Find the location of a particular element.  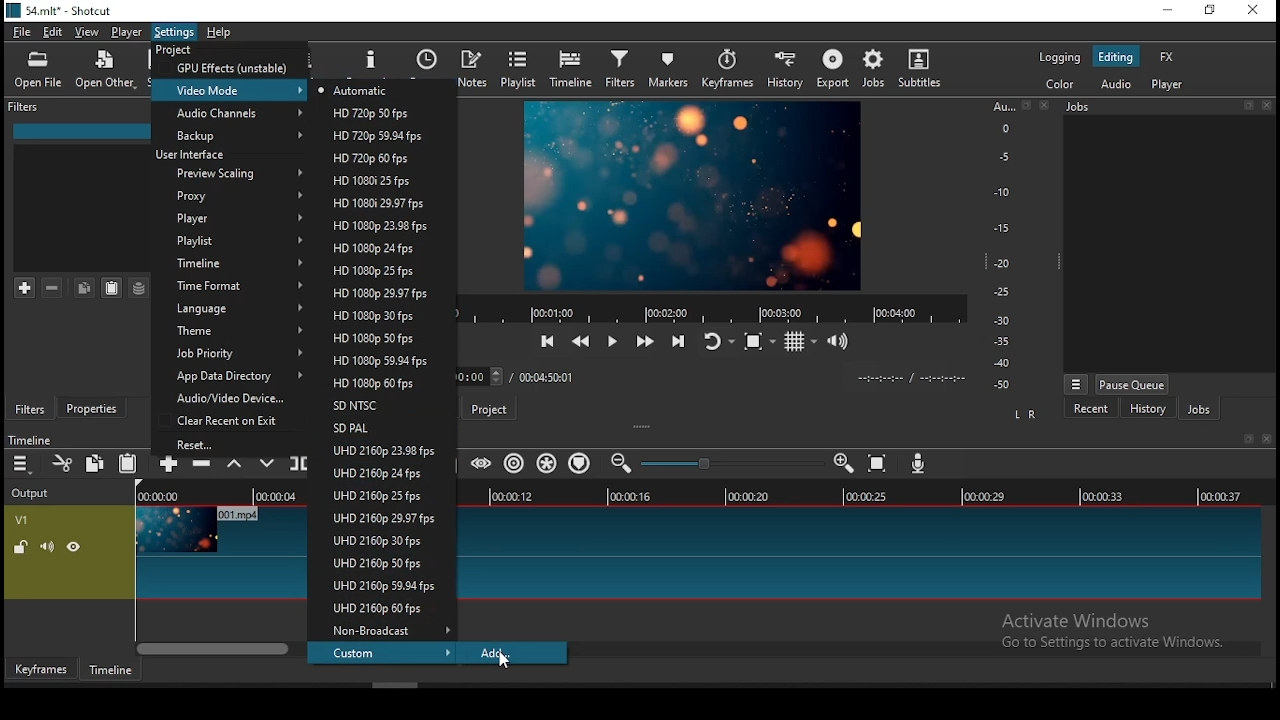

00:00:25 is located at coordinates (863, 497).